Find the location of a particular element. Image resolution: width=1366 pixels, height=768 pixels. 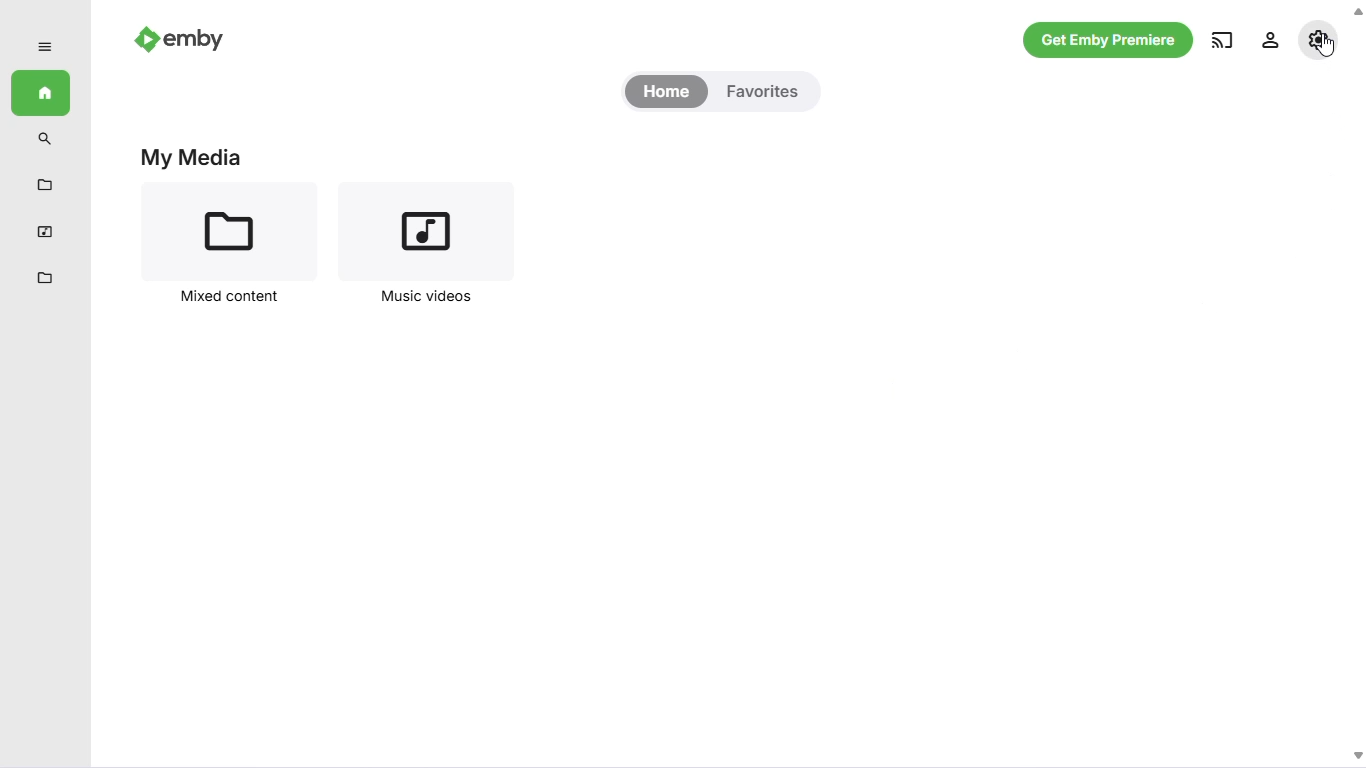

play on another device is located at coordinates (1223, 39).